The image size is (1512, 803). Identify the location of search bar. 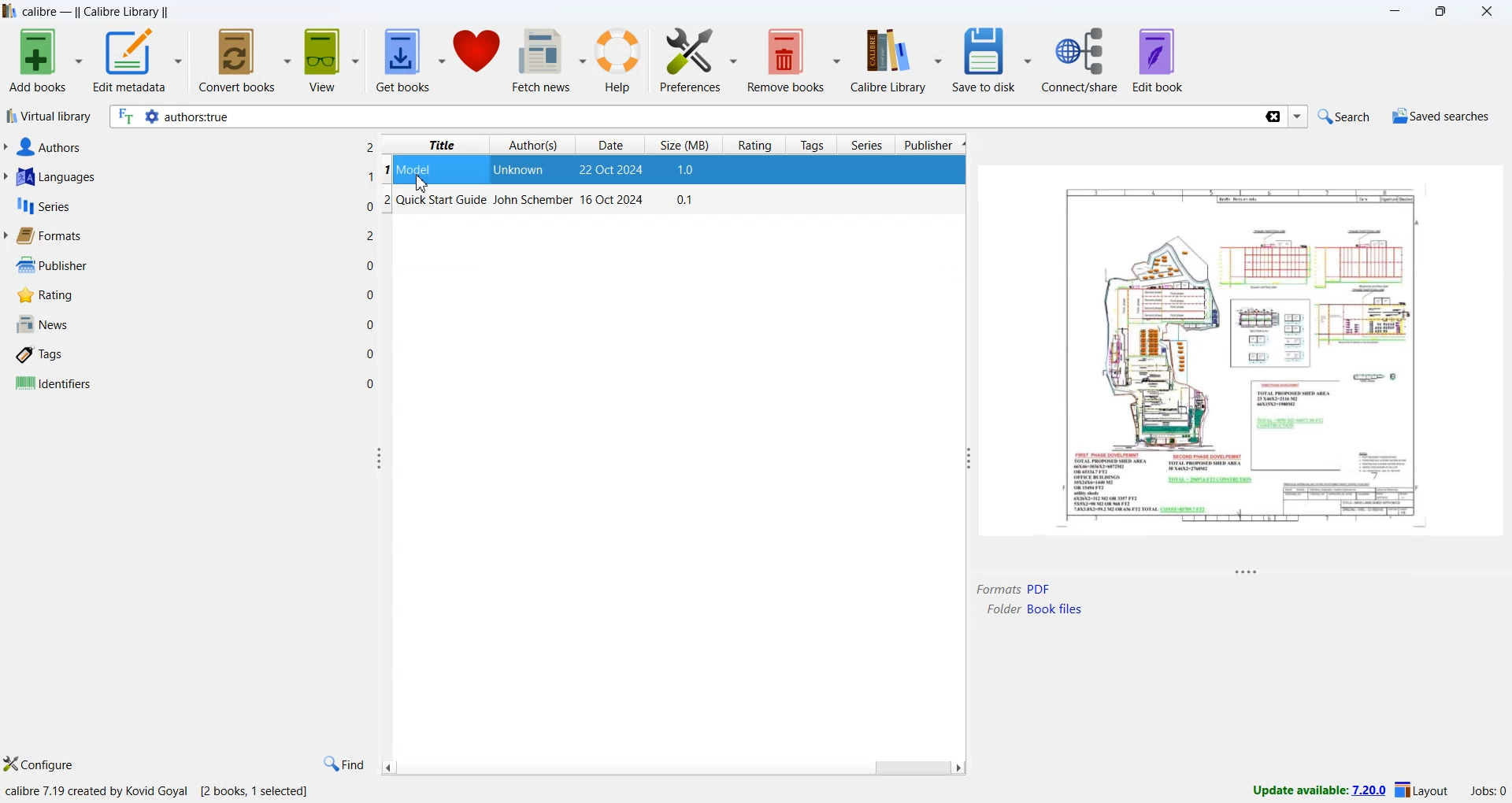
(684, 117).